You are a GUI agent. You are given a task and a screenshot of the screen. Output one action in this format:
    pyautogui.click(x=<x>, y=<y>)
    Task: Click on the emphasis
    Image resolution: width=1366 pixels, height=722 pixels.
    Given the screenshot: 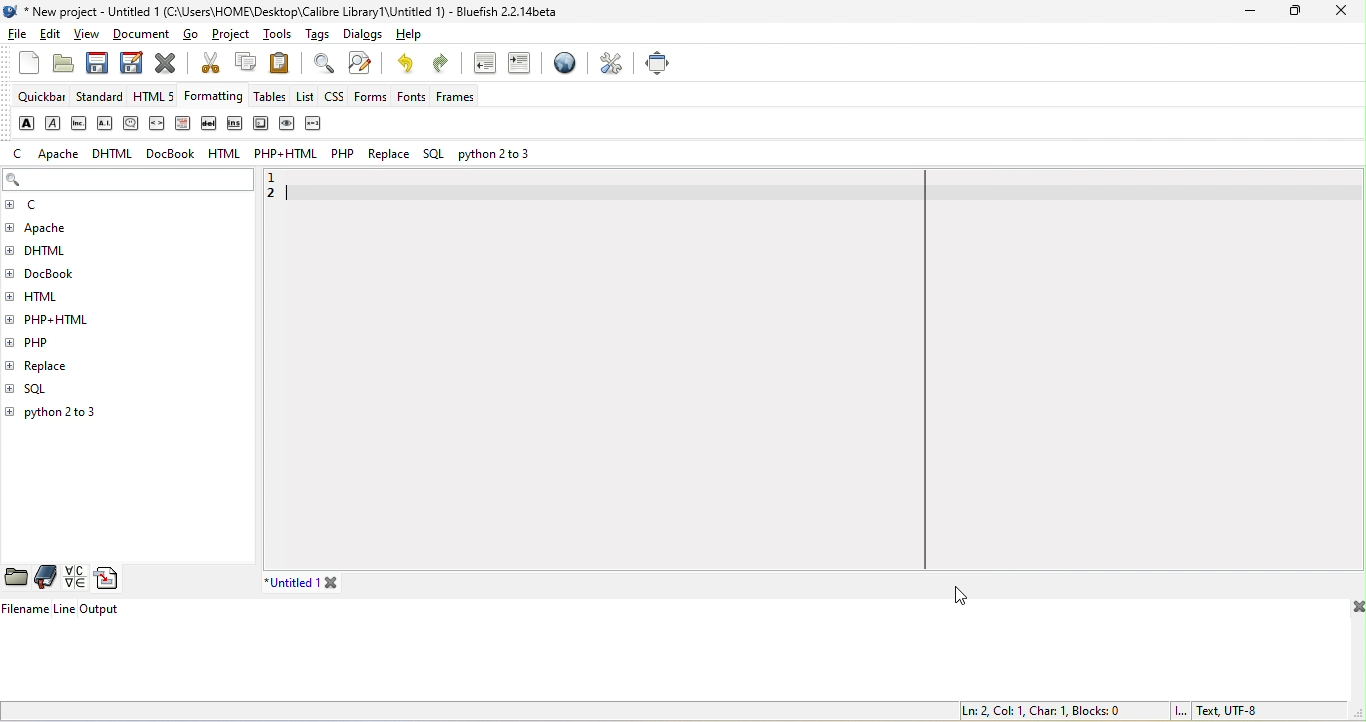 What is the action you would take?
    pyautogui.click(x=53, y=123)
    